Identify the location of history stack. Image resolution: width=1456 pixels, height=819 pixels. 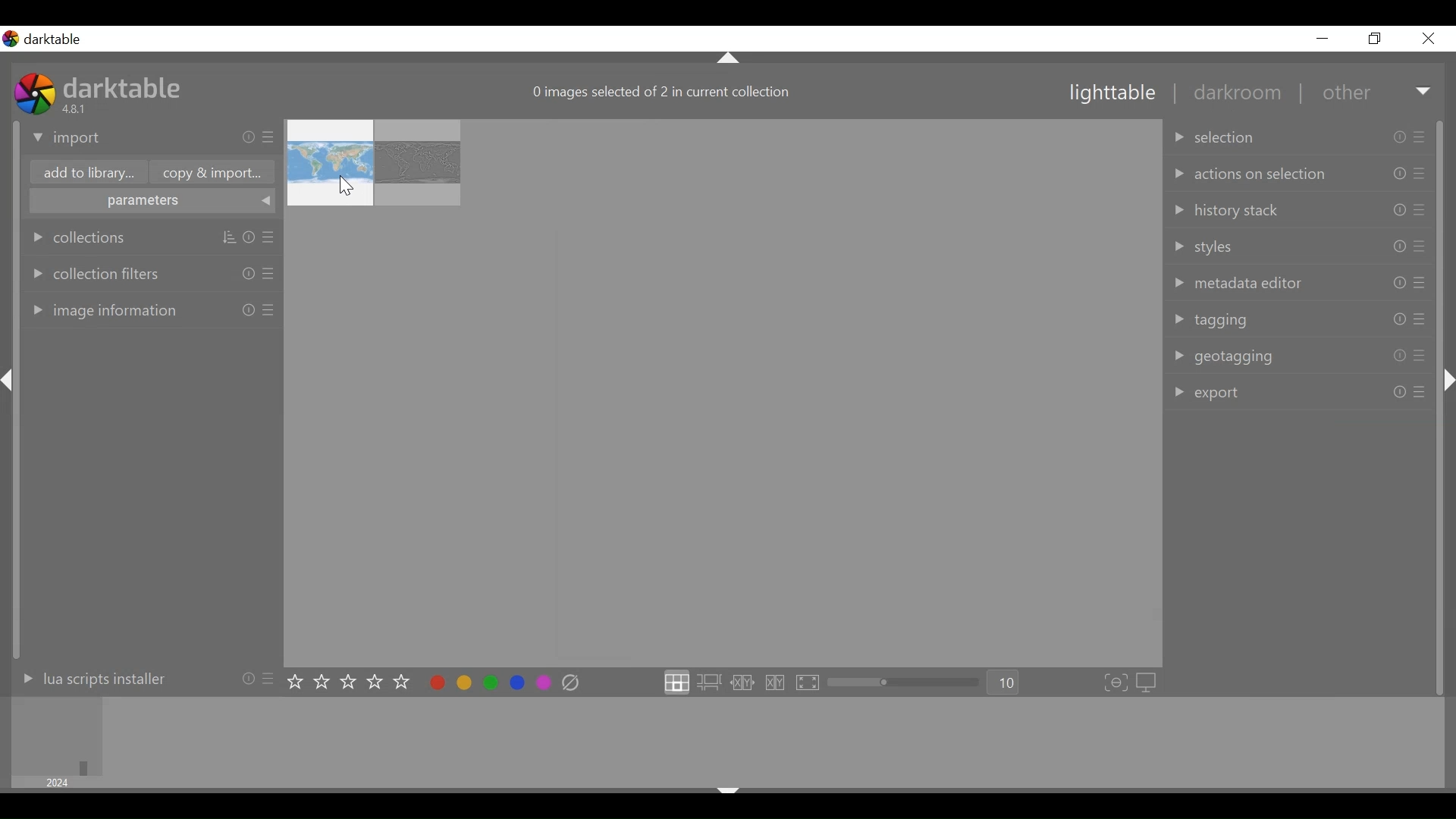
(1304, 210).